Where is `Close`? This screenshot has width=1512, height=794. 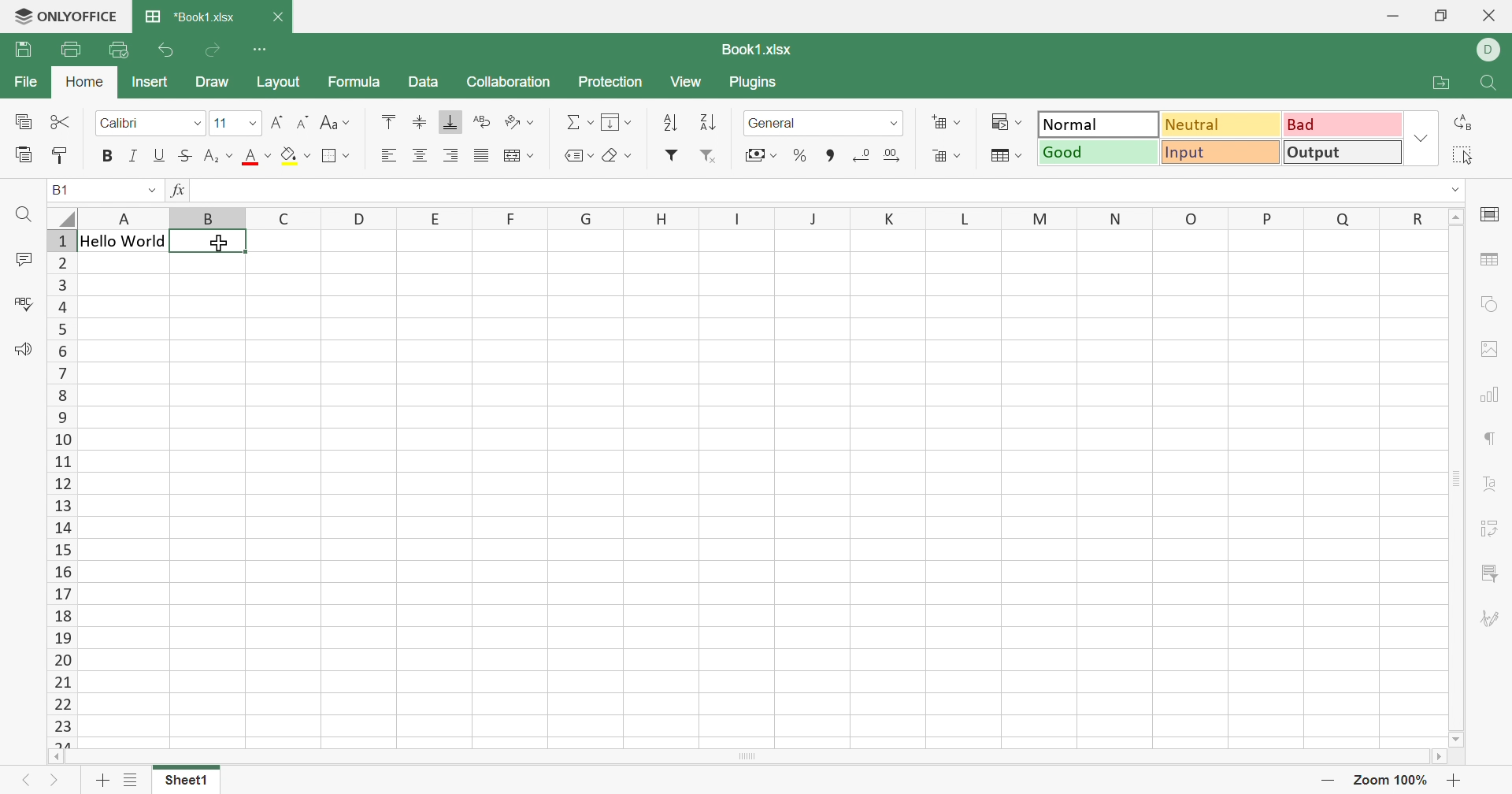 Close is located at coordinates (1491, 15).